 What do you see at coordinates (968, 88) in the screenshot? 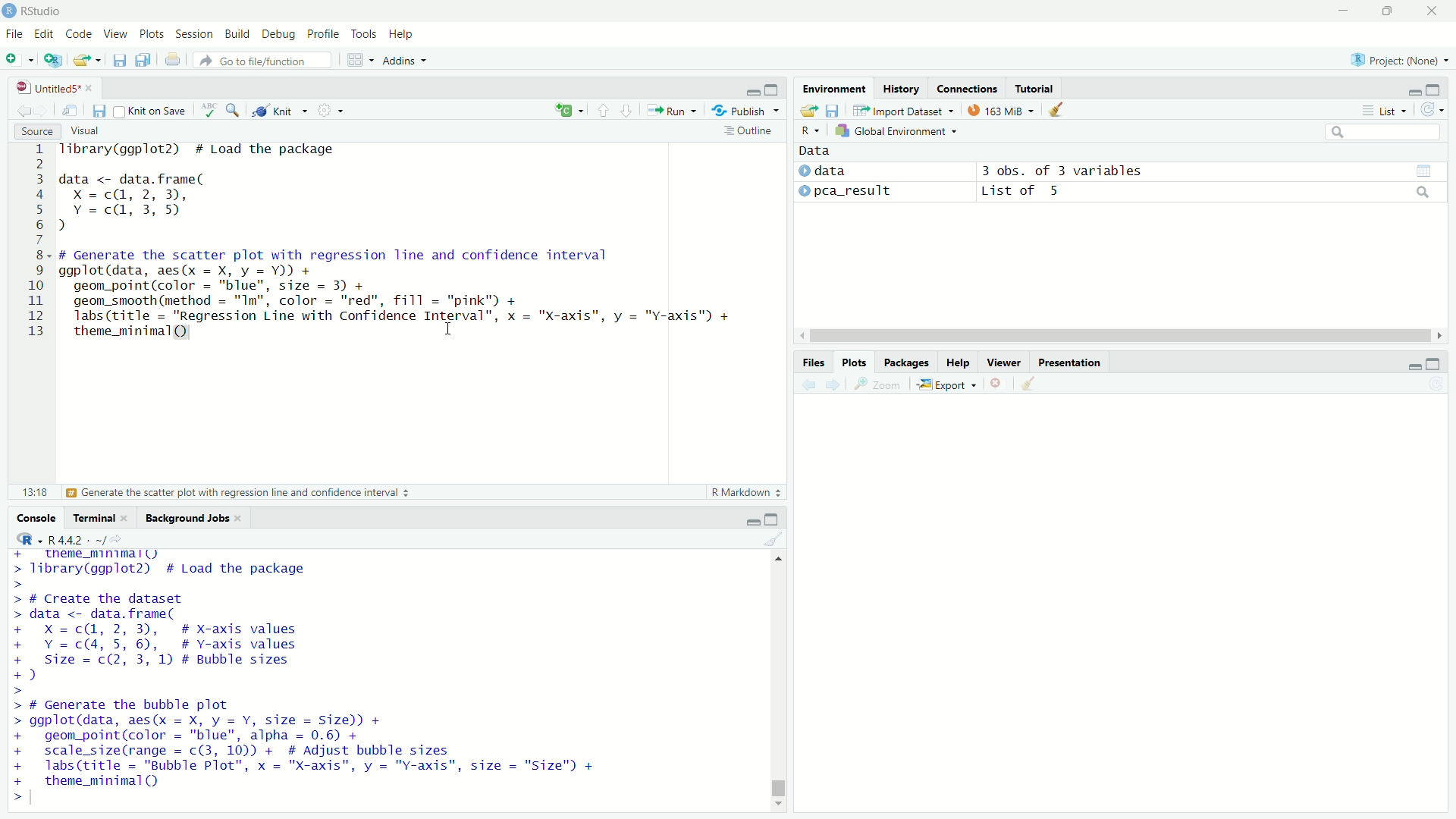
I see `Connections` at bounding box center [968, 88].